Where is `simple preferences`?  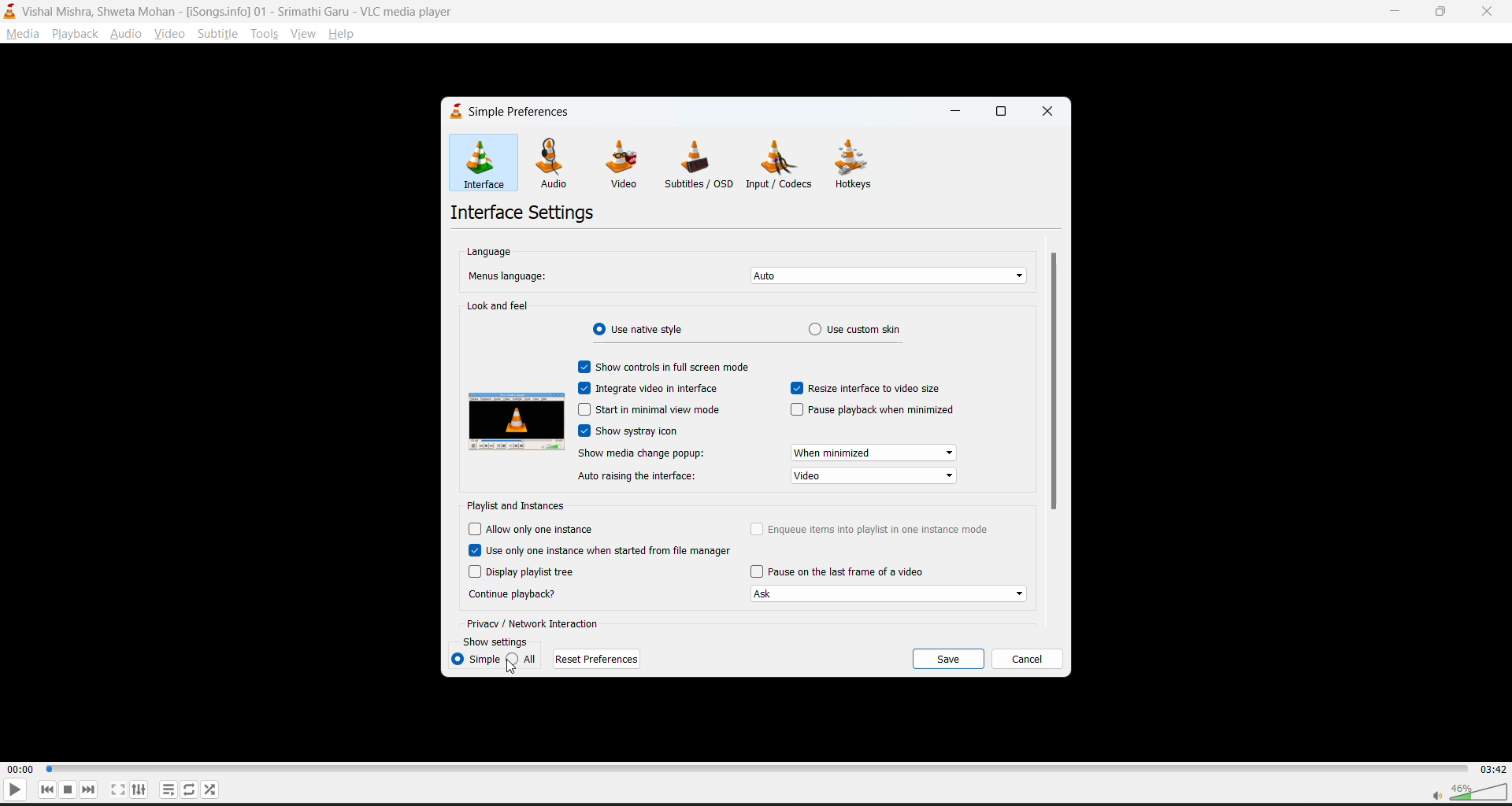 simple preferences is located at coordinates (511, 109).